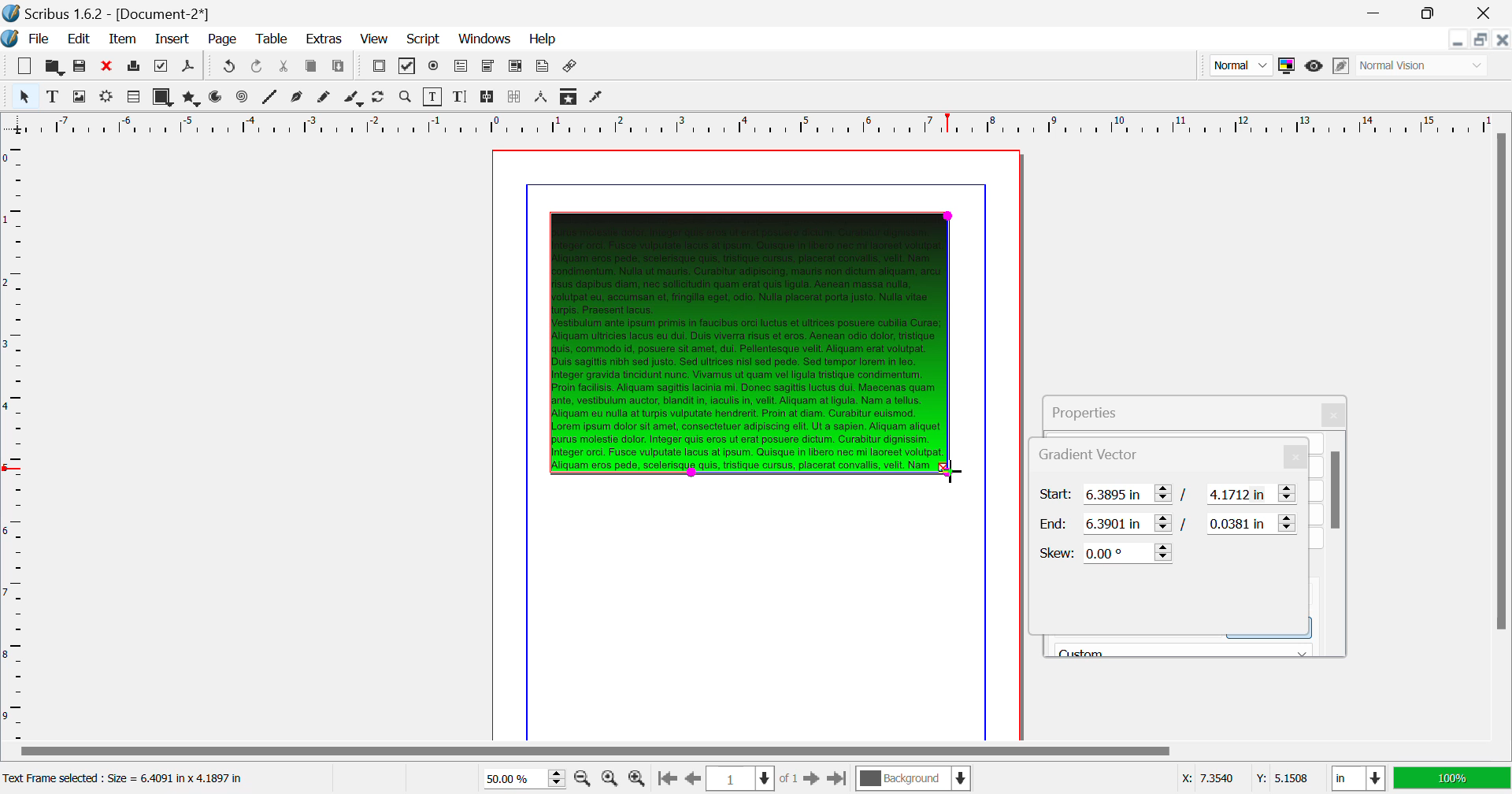 The height and width of the screenshot is (794, 1512). Describe the element at coordinates (518, 778) in the screenshot. I see `Zoom 50%` at that location.